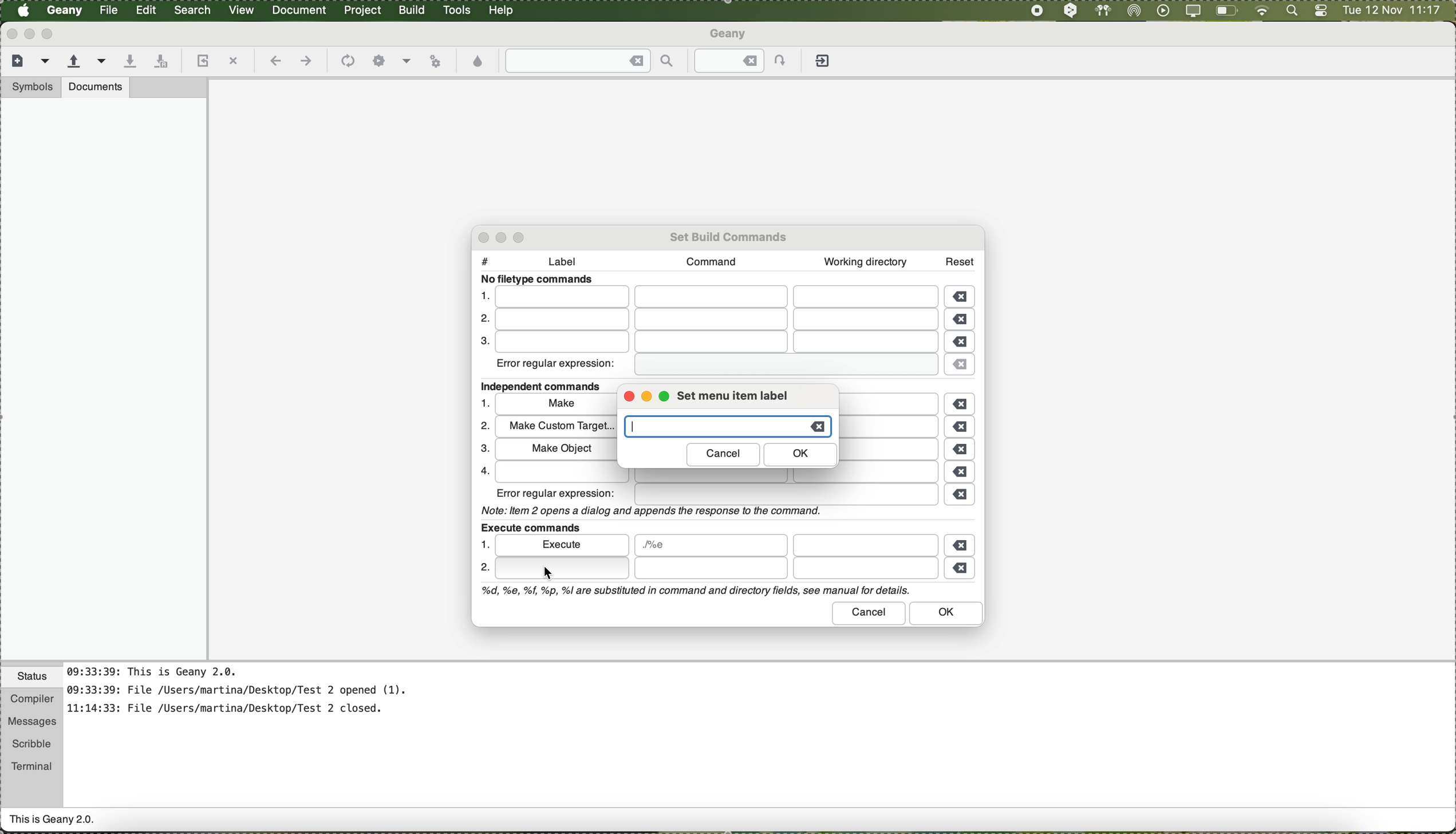 This screenshot has height=834, width=1456. Describe the element at coordinates (102, 61) in the screenshot. I see `open a recent file` at that location.